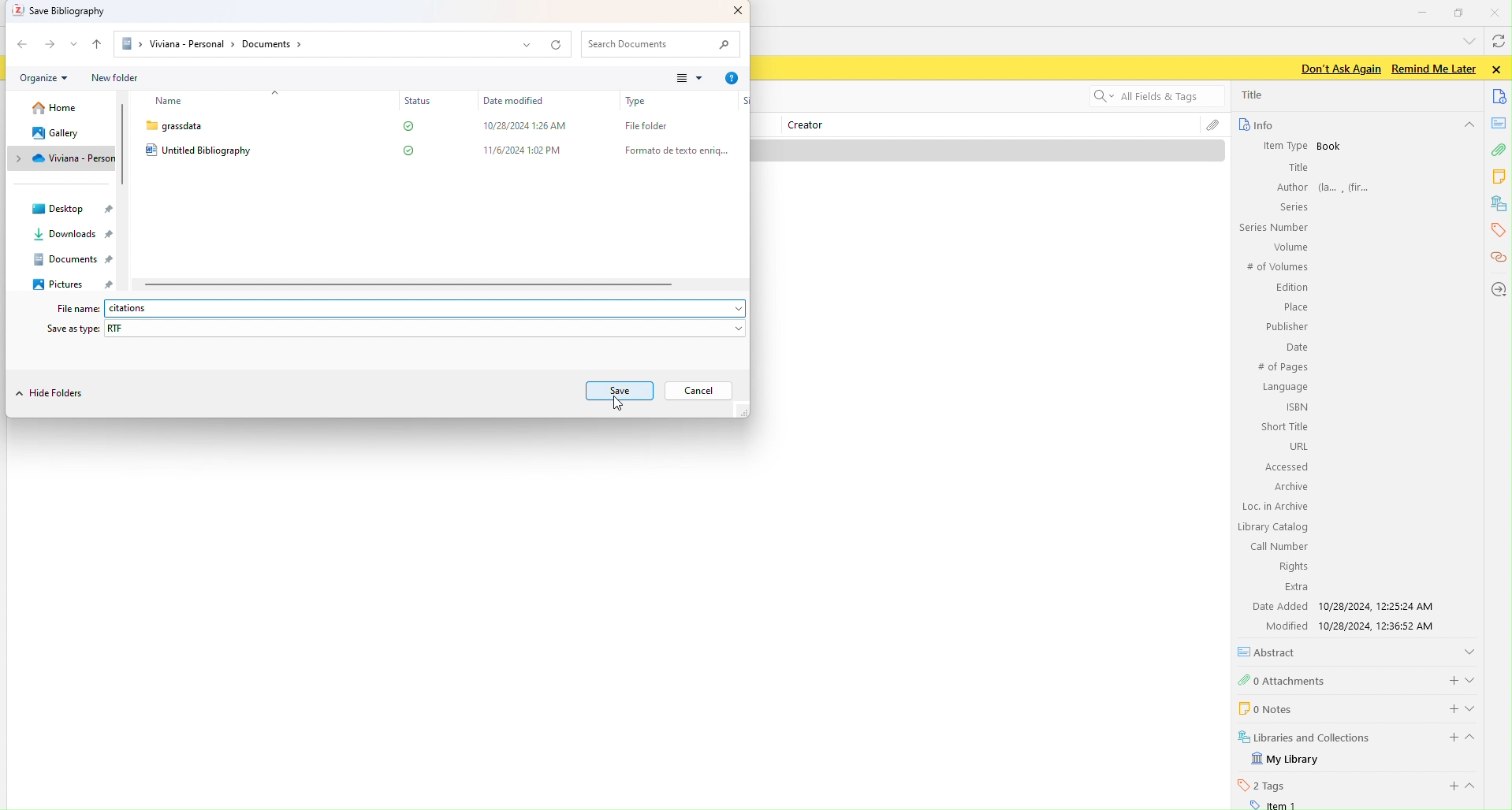  What do you see at coordinates (731, 309) in the screenshot?
I see `dropdown ` at bounding box center [731, 309].